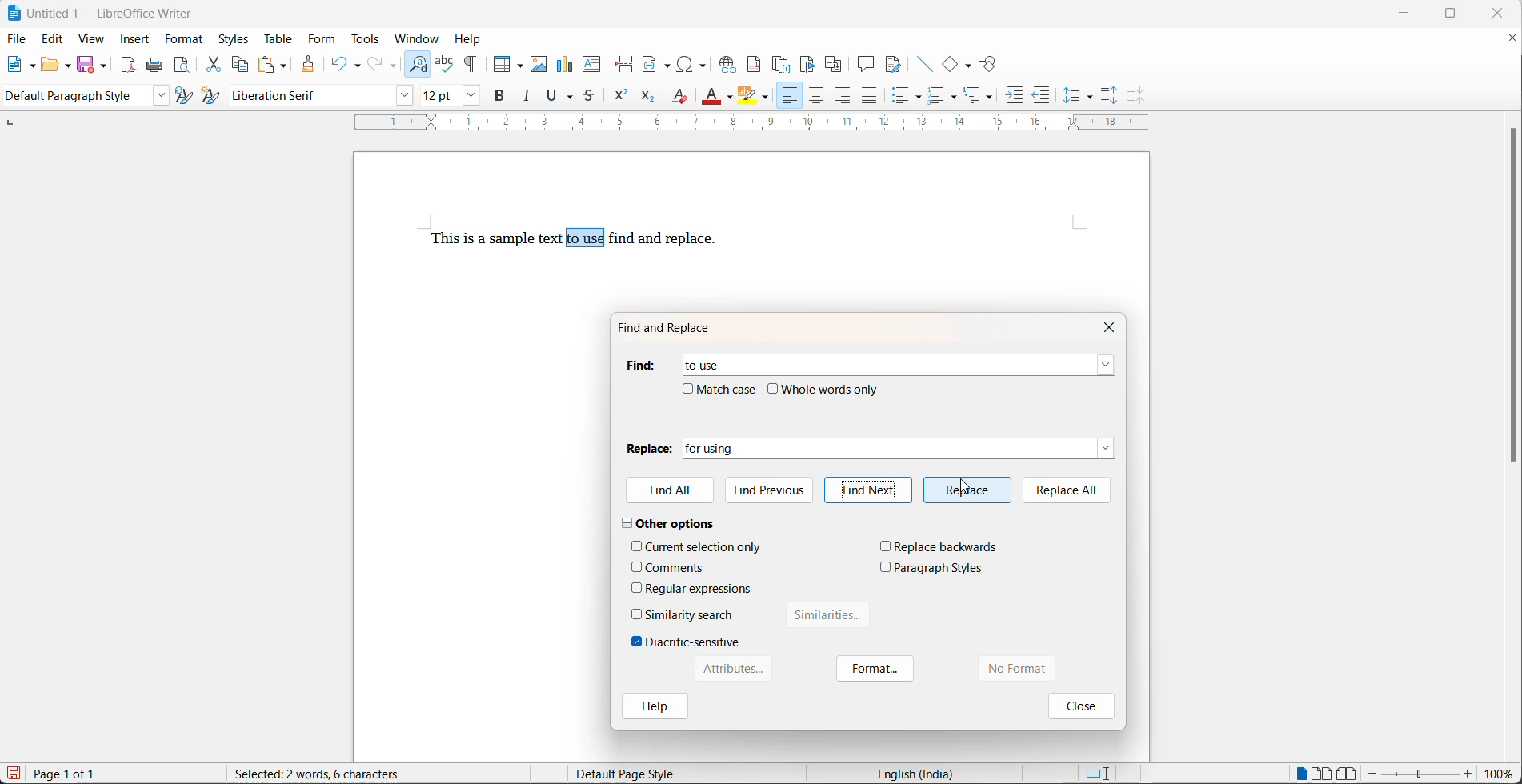  I want to click on print, so click(158, 66).